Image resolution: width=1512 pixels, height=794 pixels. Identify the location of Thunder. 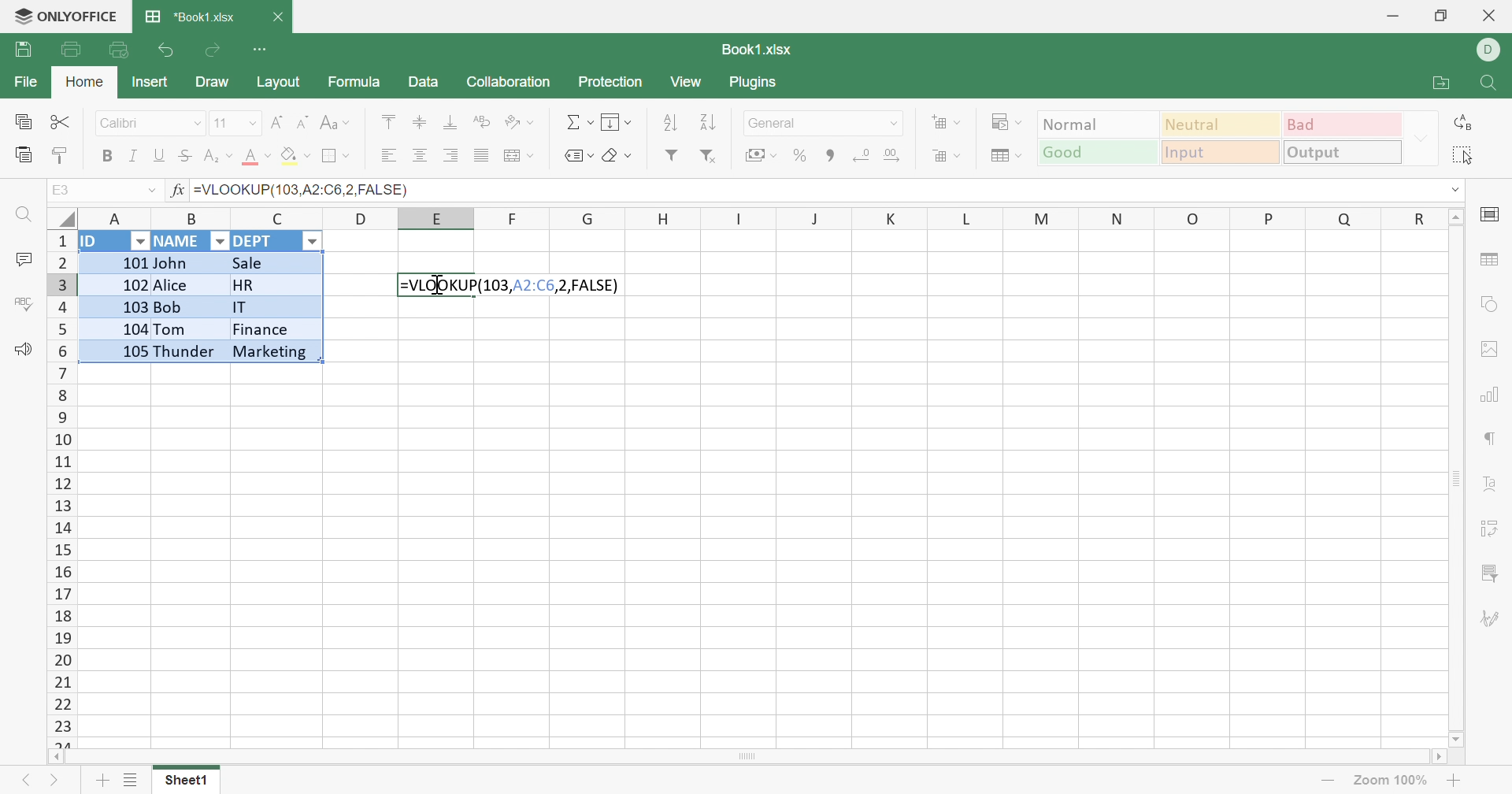
(187, 351).